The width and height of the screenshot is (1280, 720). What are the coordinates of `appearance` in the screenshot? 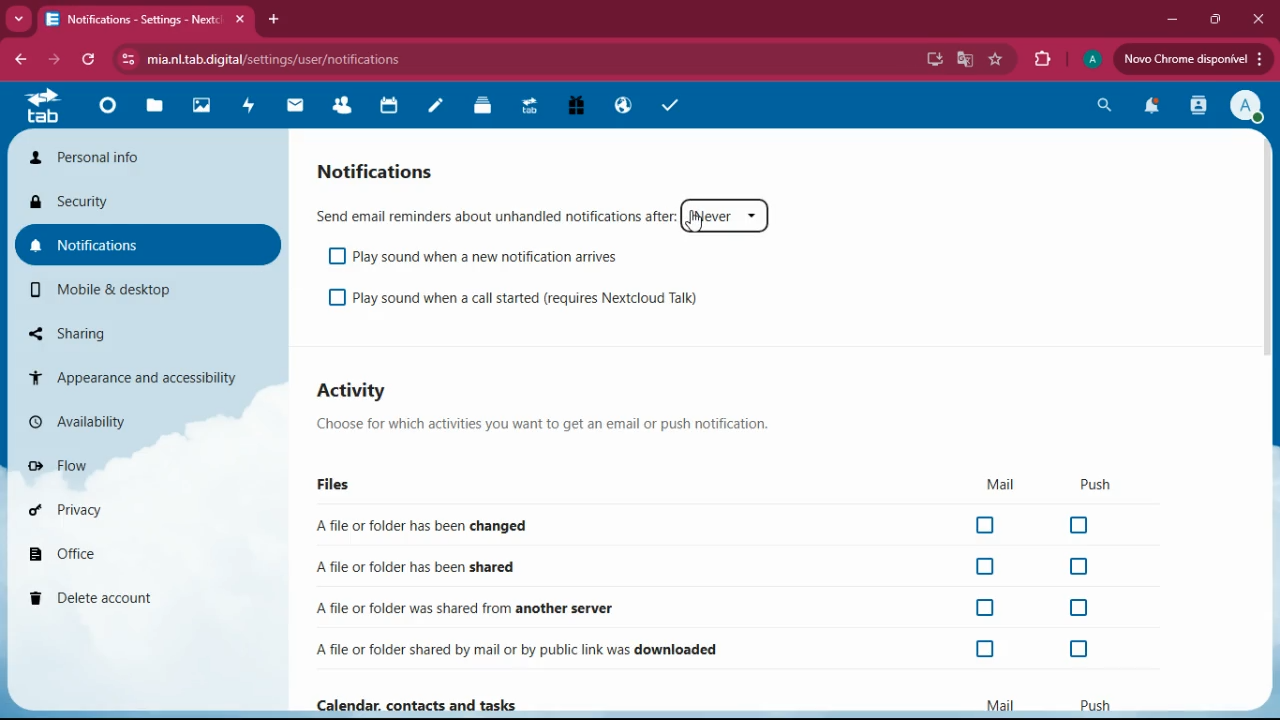 It's located at (137, 375).